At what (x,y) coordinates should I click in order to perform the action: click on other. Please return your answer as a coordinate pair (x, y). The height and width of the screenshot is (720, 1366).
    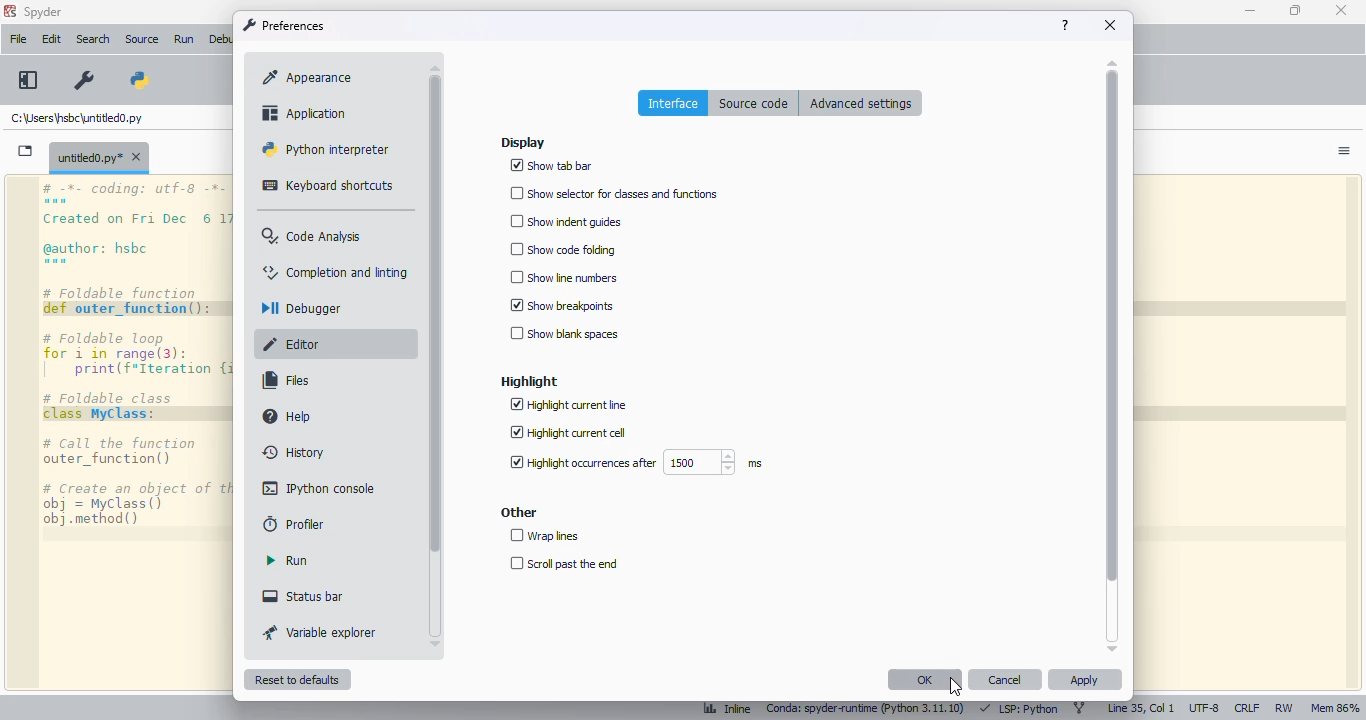
    Looking at the image, I should click on (519, 512).